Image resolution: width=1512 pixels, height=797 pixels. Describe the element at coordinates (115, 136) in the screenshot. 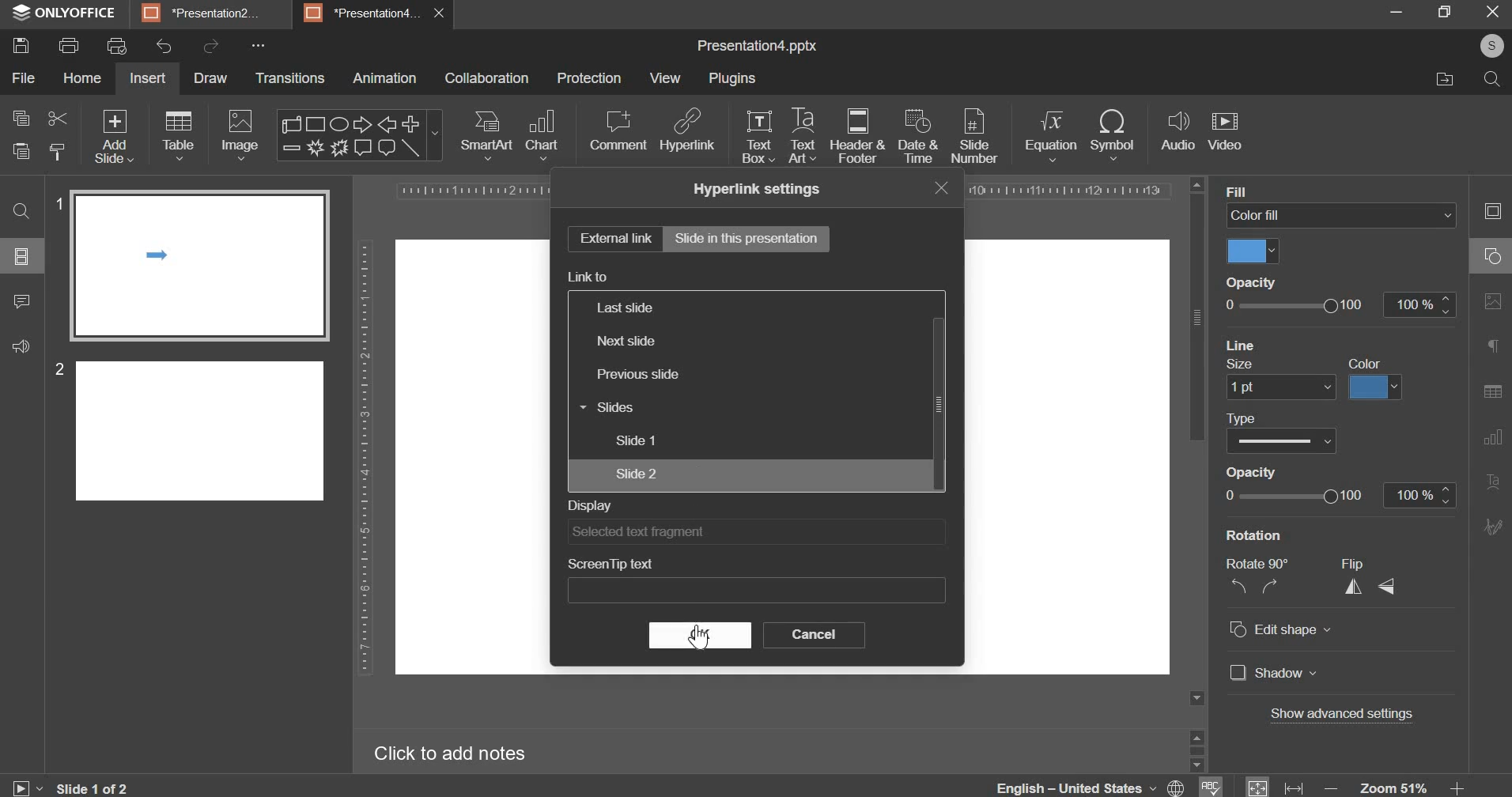

I see `add slide` at that location.